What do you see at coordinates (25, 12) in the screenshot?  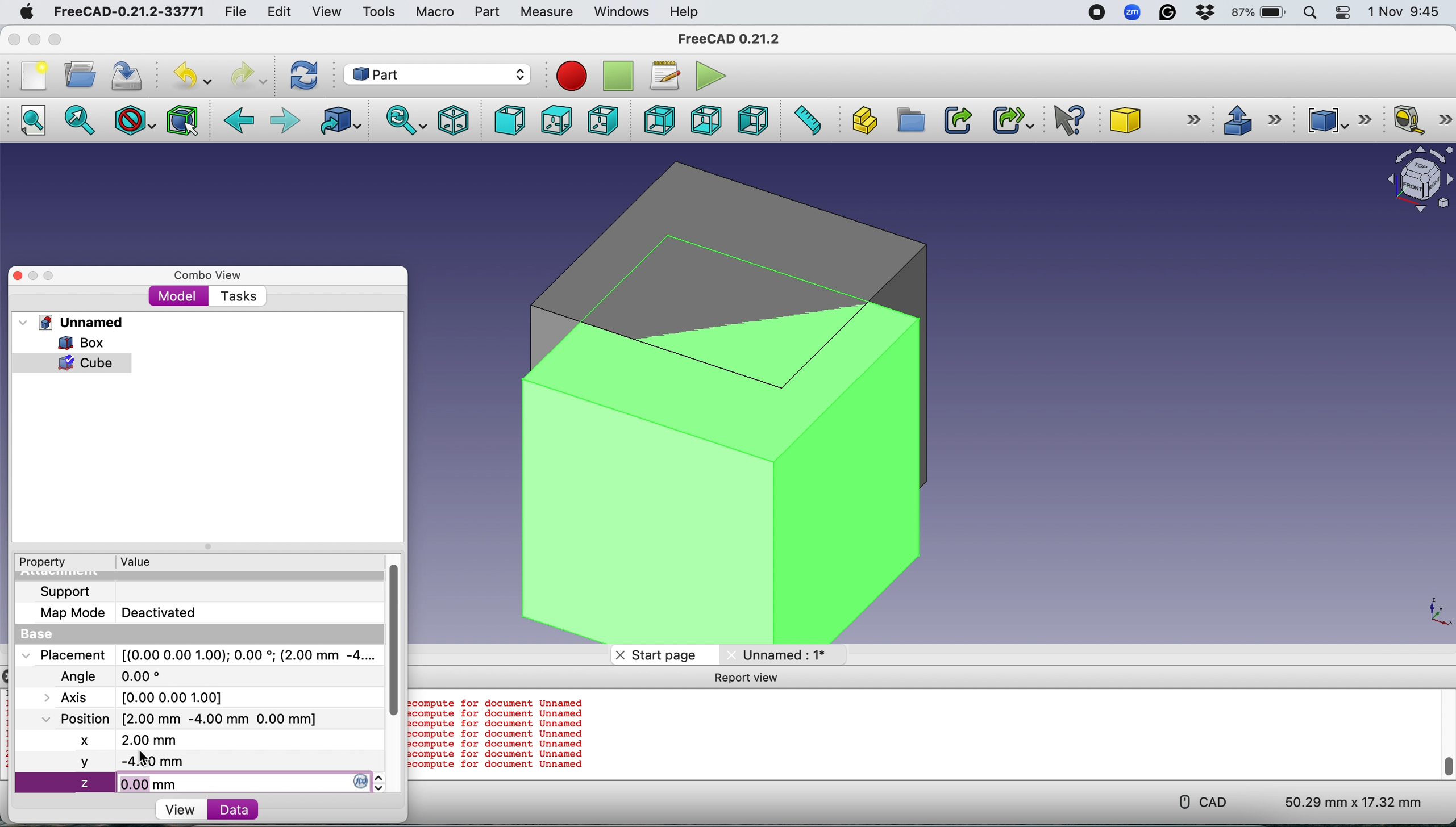 I see `System logo` at bounding box center [25, 12].